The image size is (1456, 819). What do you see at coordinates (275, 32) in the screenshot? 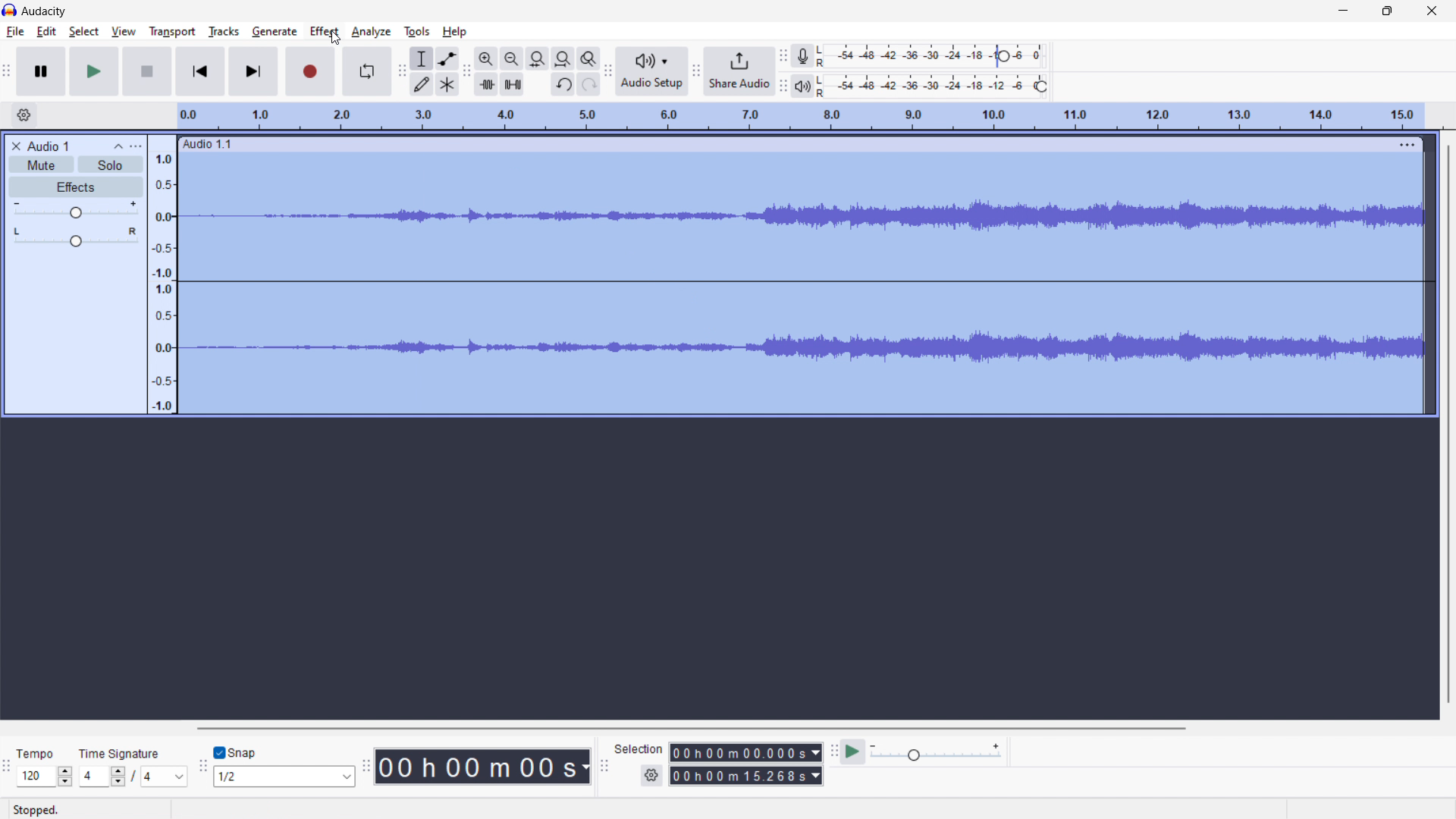
I see `generate` at bounding box center [275, 32].